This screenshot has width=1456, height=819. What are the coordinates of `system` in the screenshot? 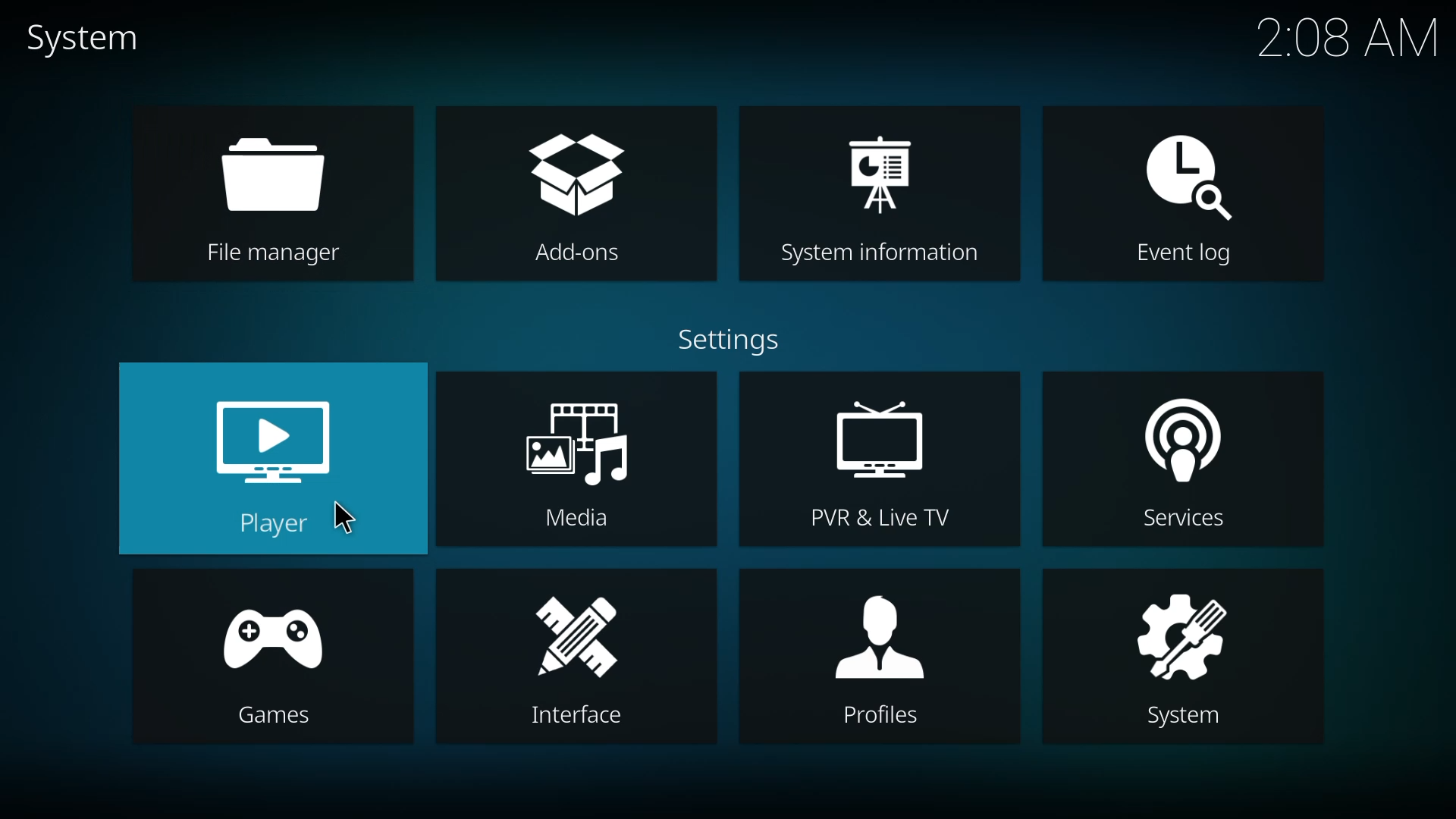 It's located at (1180, 659).